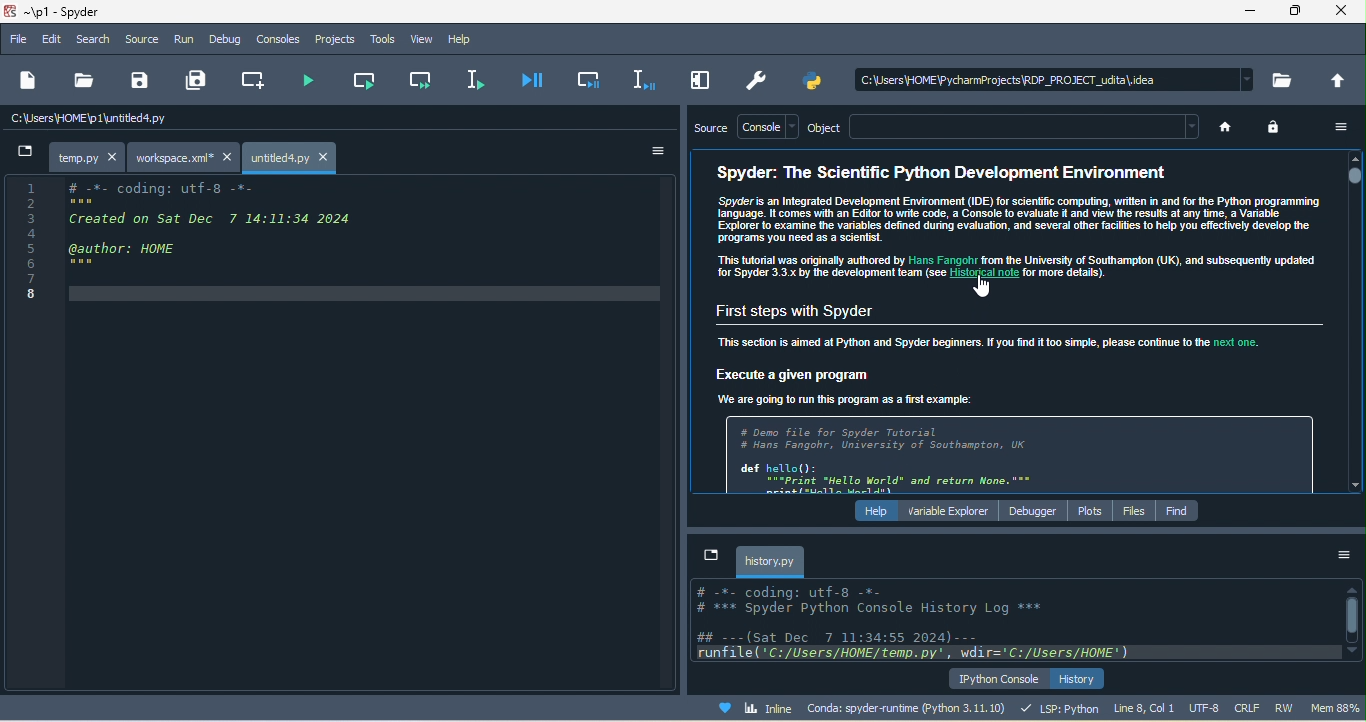 The image size is (1366, 722). Describe the element at coordinates (817, 80) in the screenshot. I see `pythonpath manager` at that location.